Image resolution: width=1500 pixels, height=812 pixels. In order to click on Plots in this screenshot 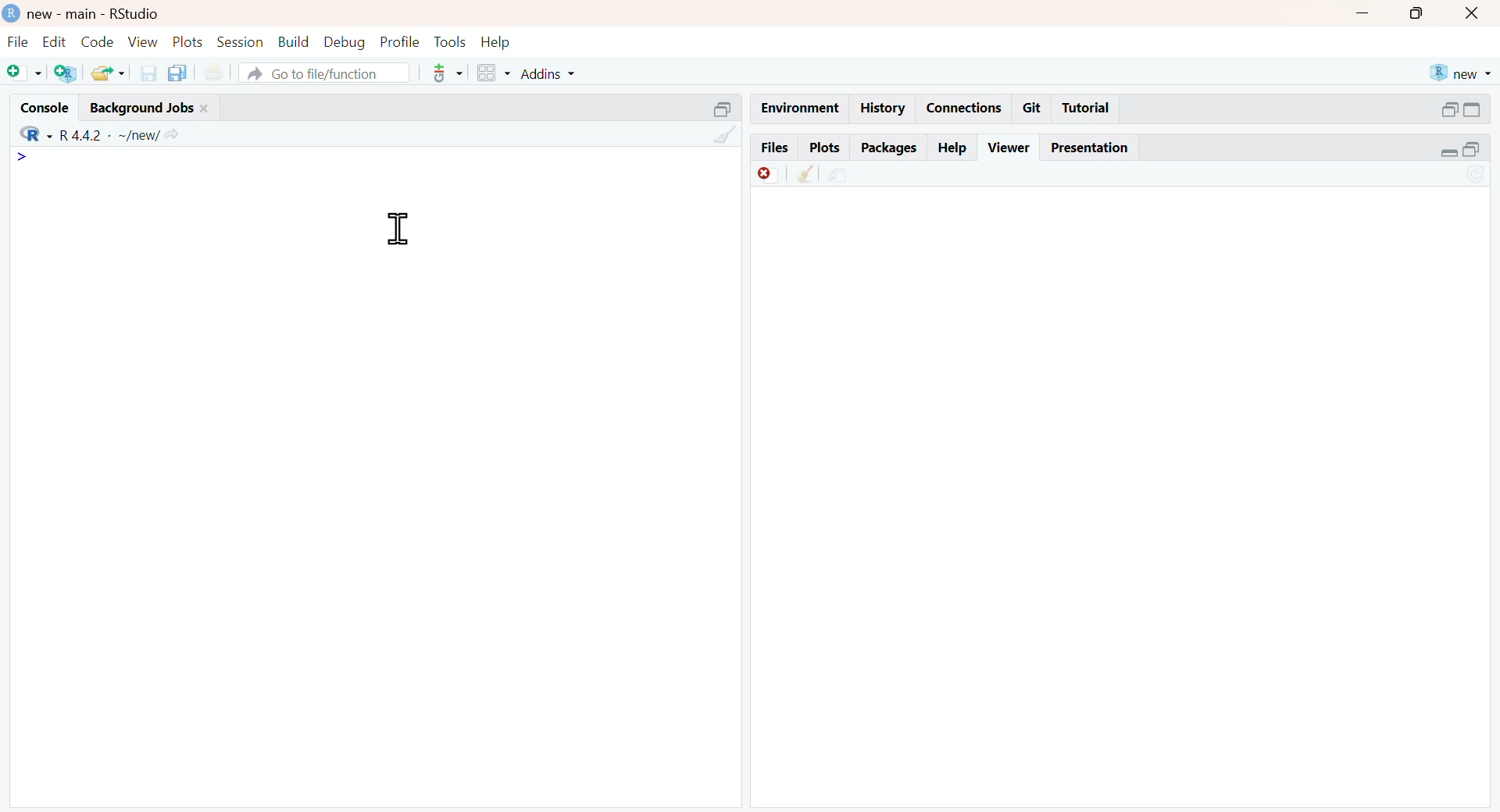, I will do `click(822, 146)`.